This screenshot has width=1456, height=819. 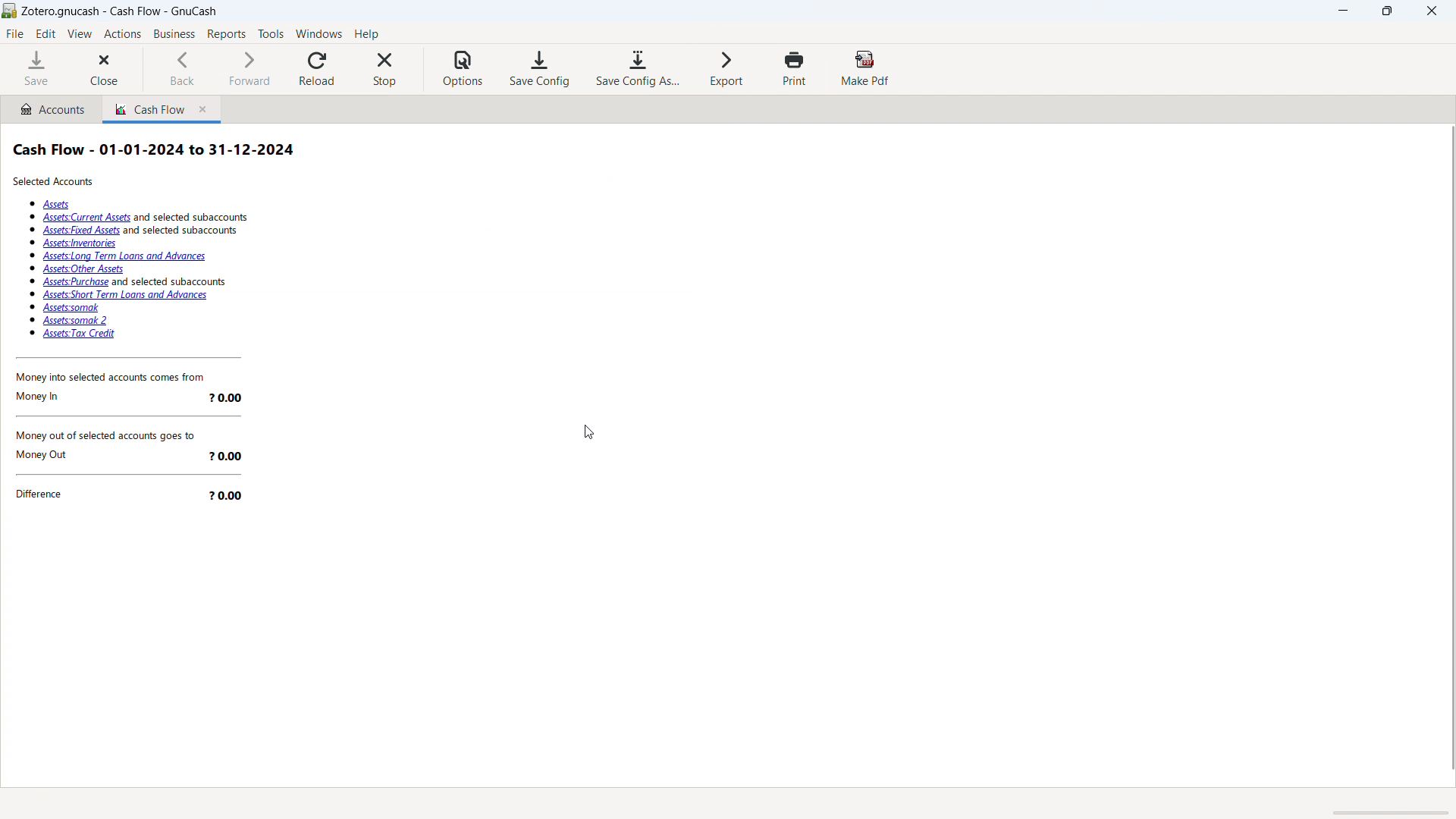 I want to click on assets: current assets, so click(x=149, y=218).